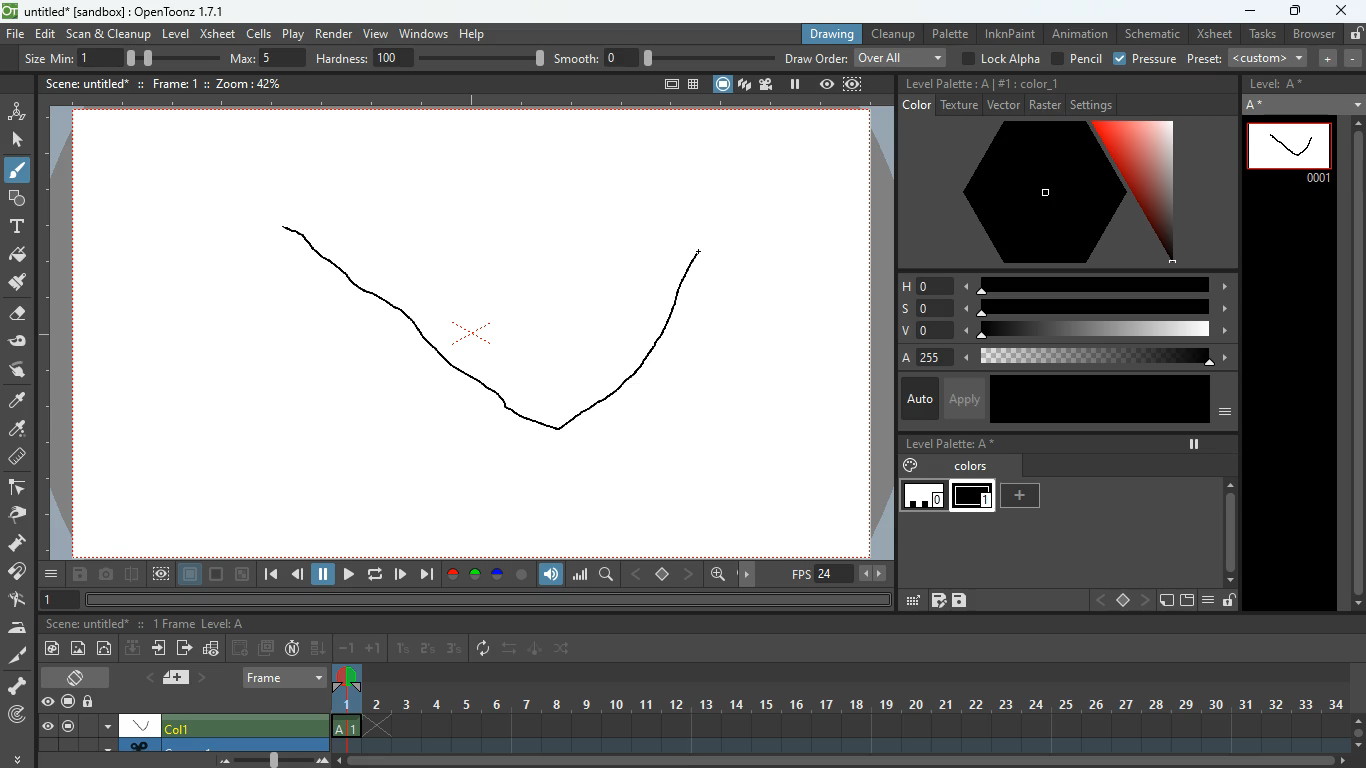 The width and height of the screenshot is (1366, 768). What do you see at coordinates (266, 648) in the screenshot?
I see `screen` at bounding box center [266, 648].